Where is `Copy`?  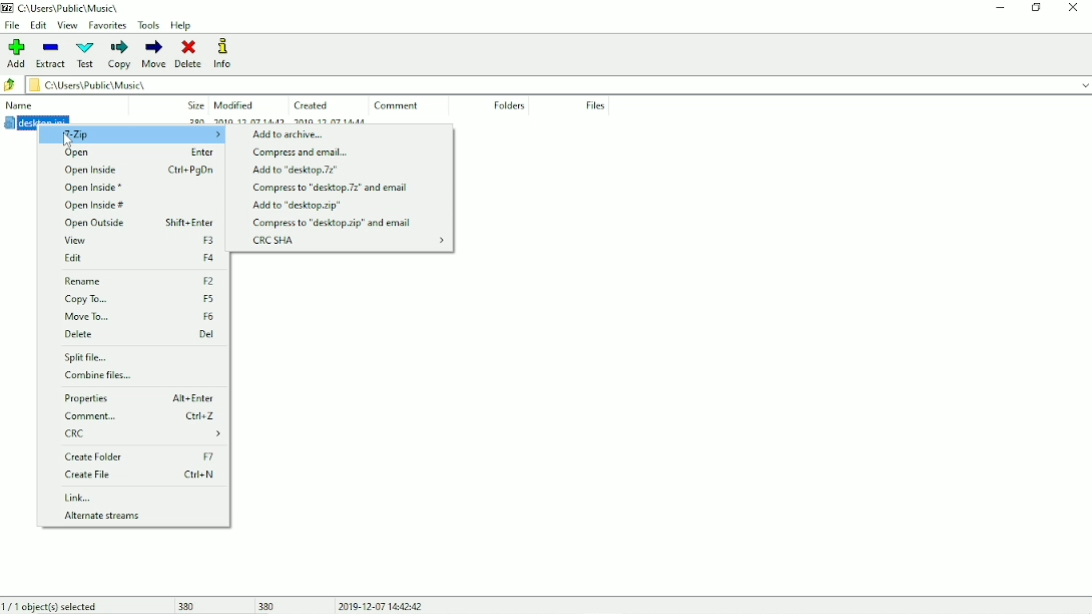
Copy is located at coordinates (119, 55).